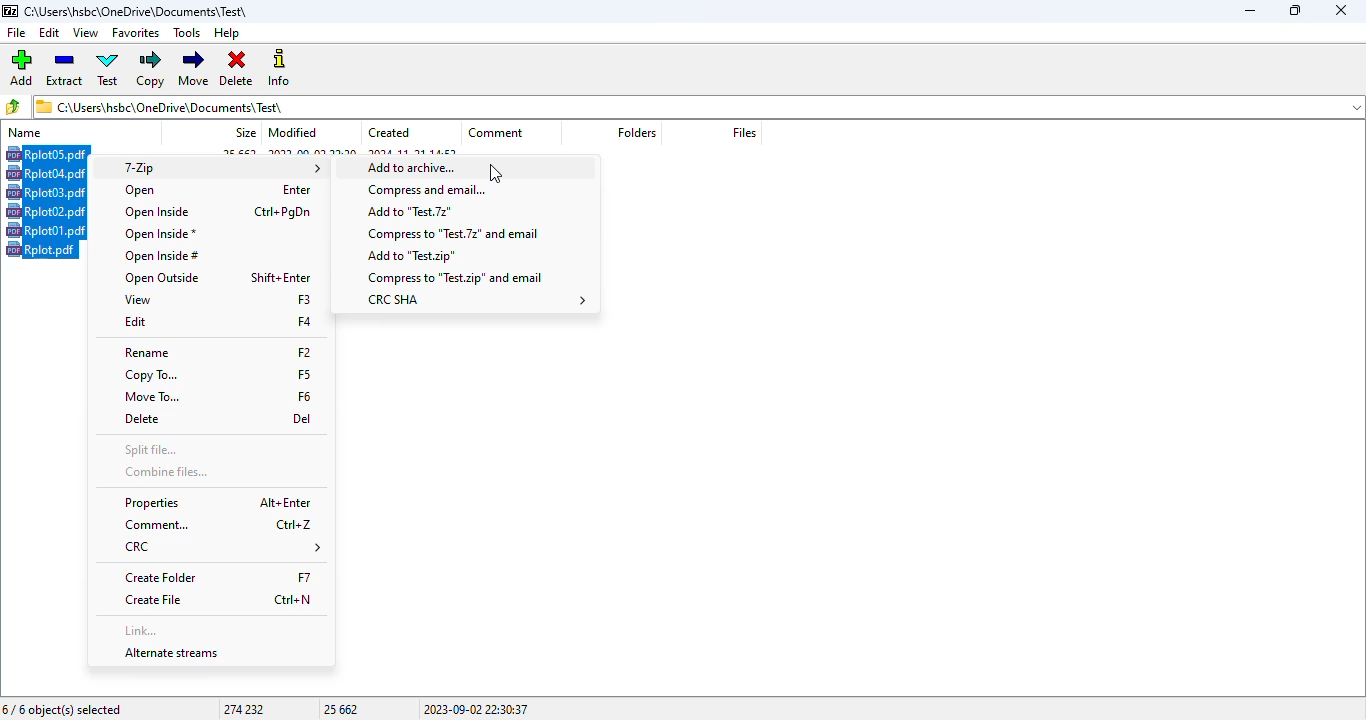 This screenshot has width=1366, height=720. I want to click on edit, so click(218, 321).